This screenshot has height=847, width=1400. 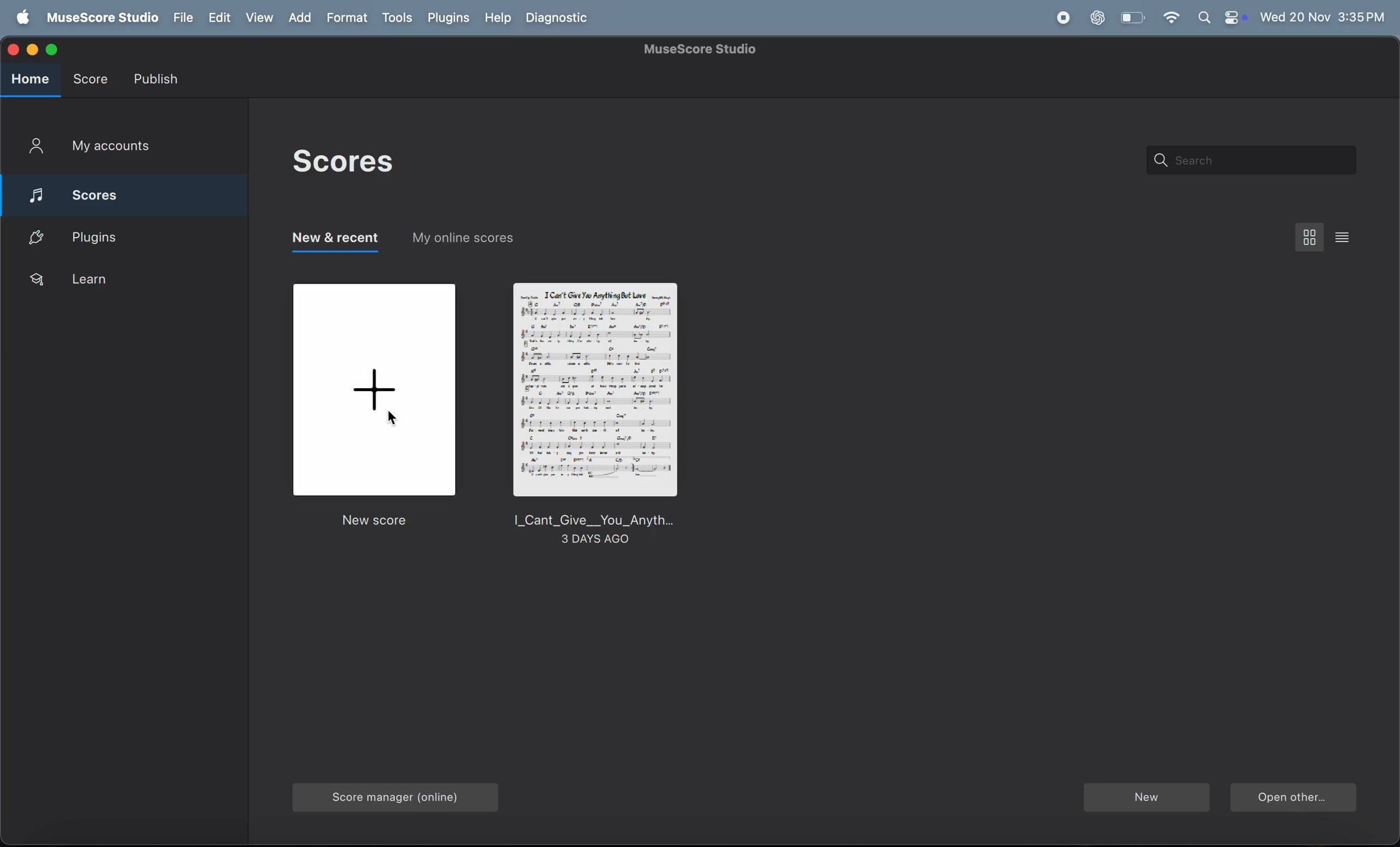 I want to click on view menu, so click(x=1310, y=236).